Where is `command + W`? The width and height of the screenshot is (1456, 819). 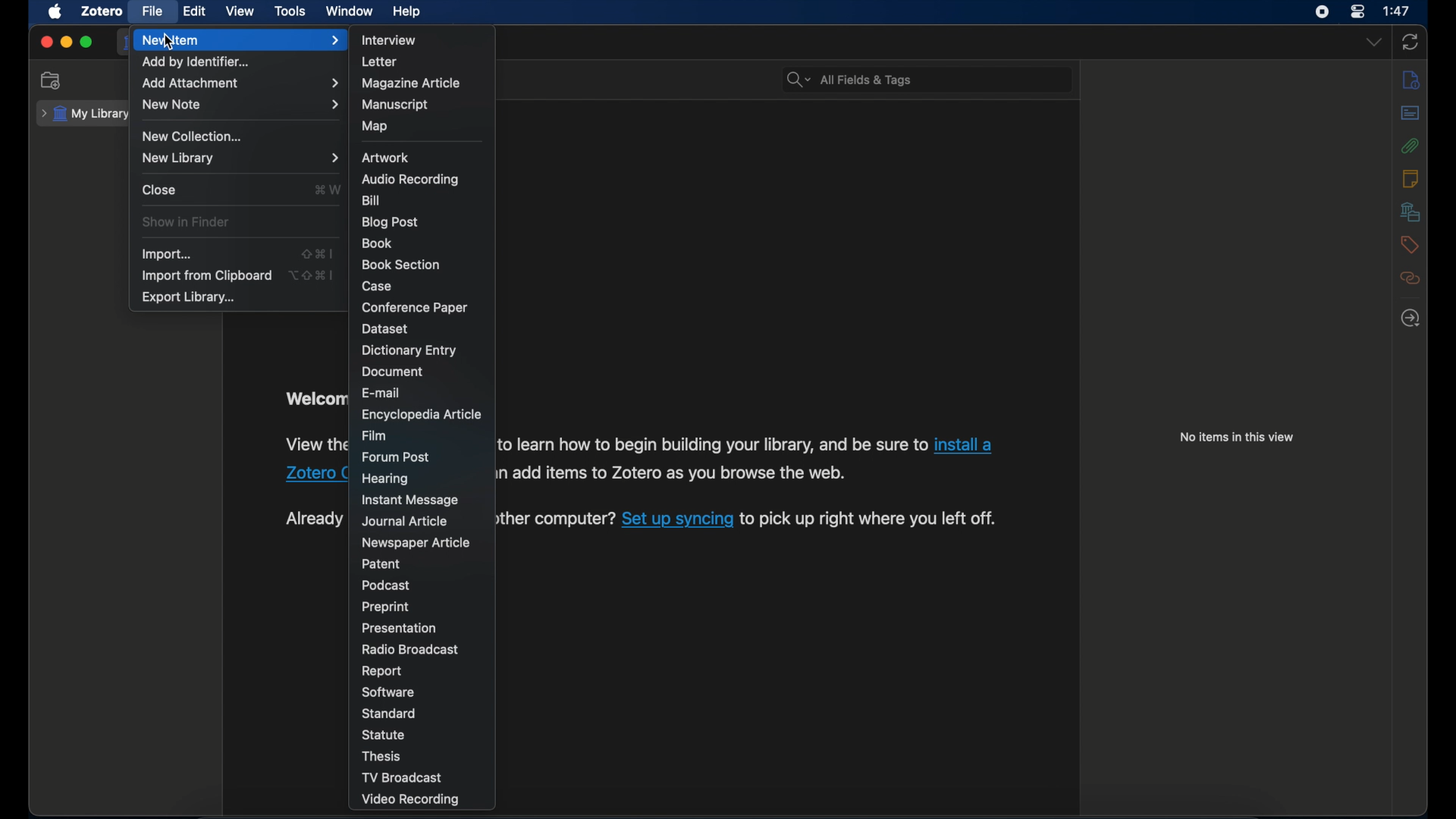
command + W is located at coordinates (328, 189).